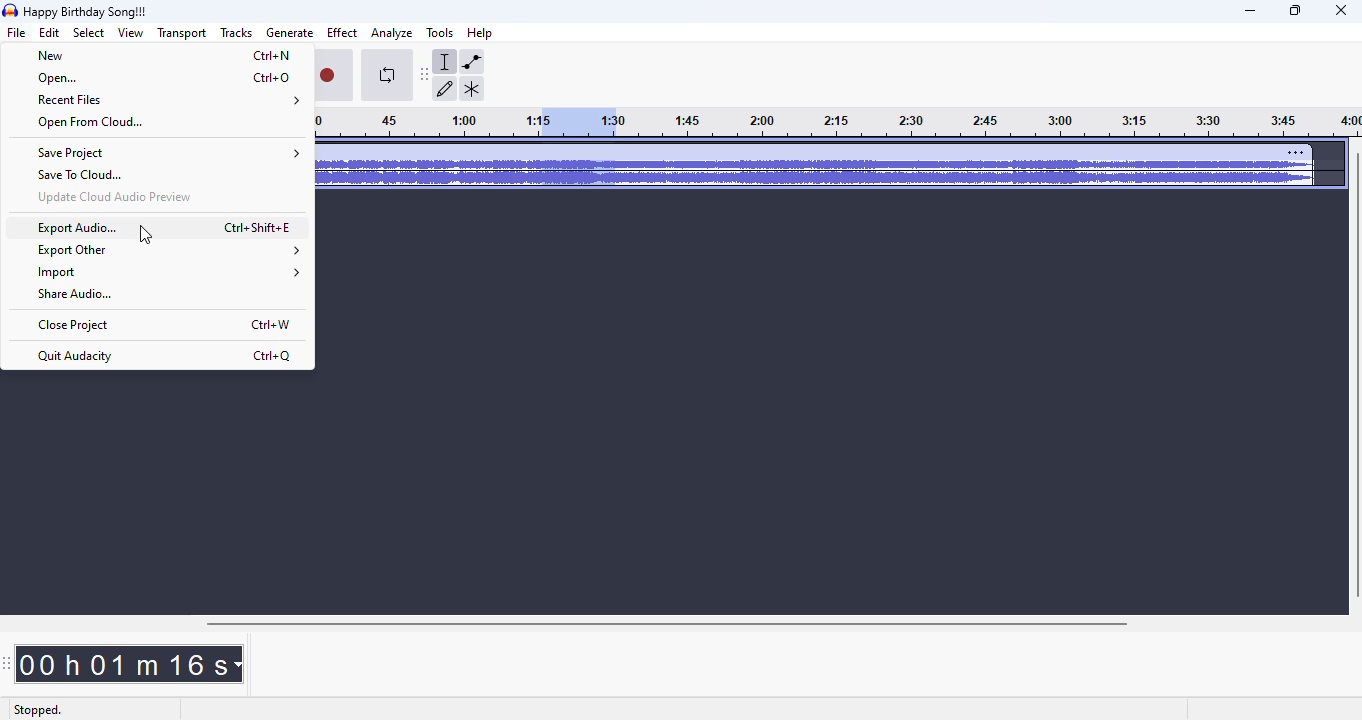 The image size is (1362, 720). What do you see at coordinates (472, 62) in the screenshot?
I see `envelope tool` at bounding box center [472, 62].